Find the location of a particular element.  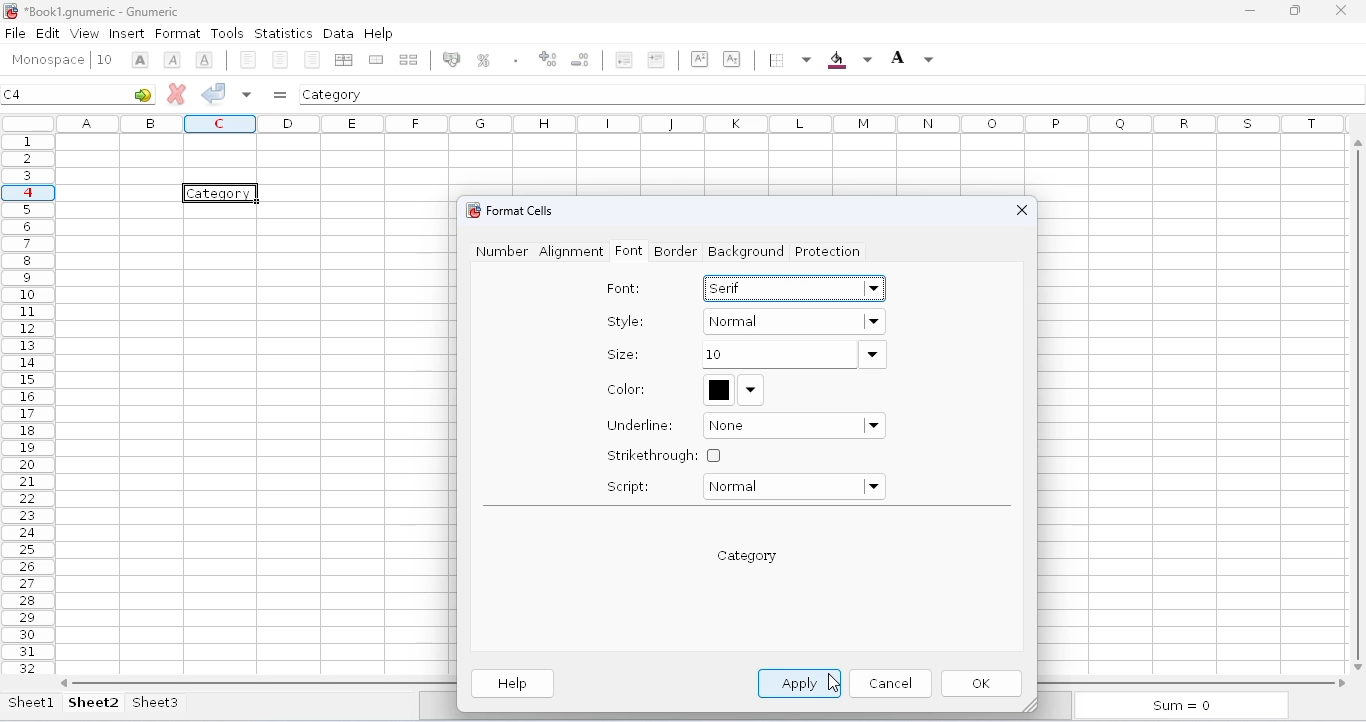

category is located at coordinates (333, 94).